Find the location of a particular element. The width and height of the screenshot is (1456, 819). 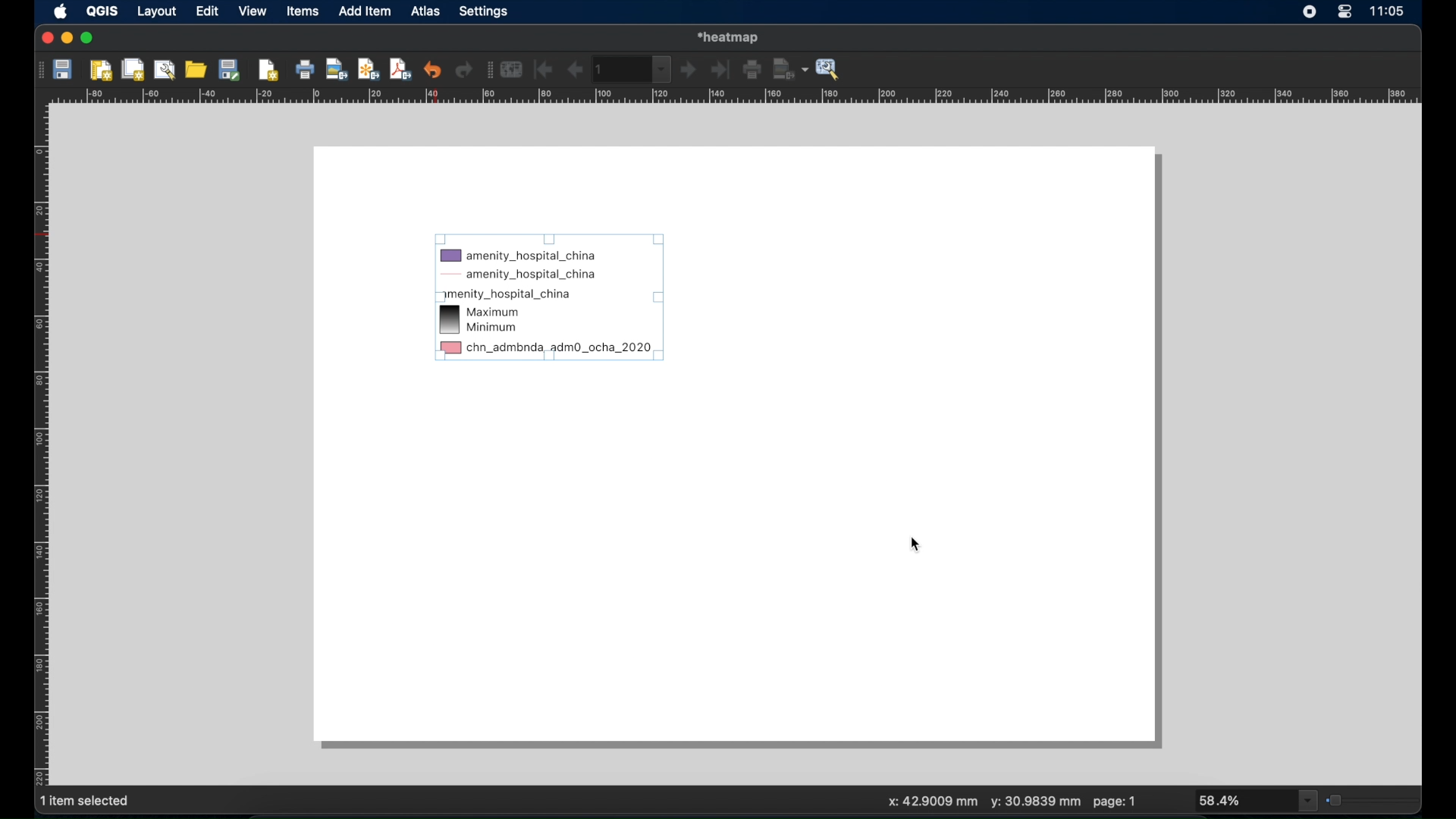

blank layout is located at coordinates (365, 300).